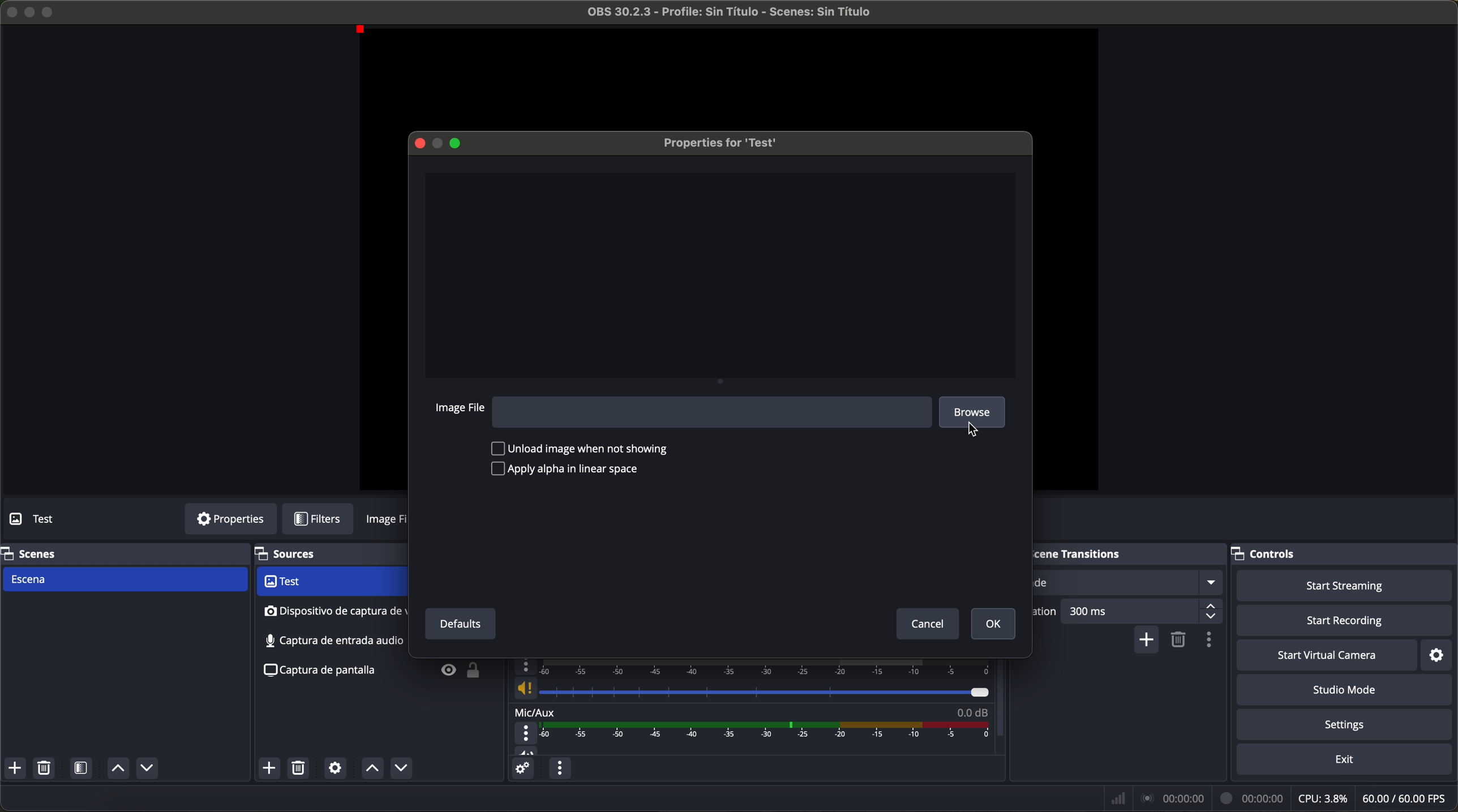 The width and height of the screenshot is (1458, 812). What do you see at coordinates (971, 429) in the screenshot?
I see `cursor` at bounding box center [971, 429].